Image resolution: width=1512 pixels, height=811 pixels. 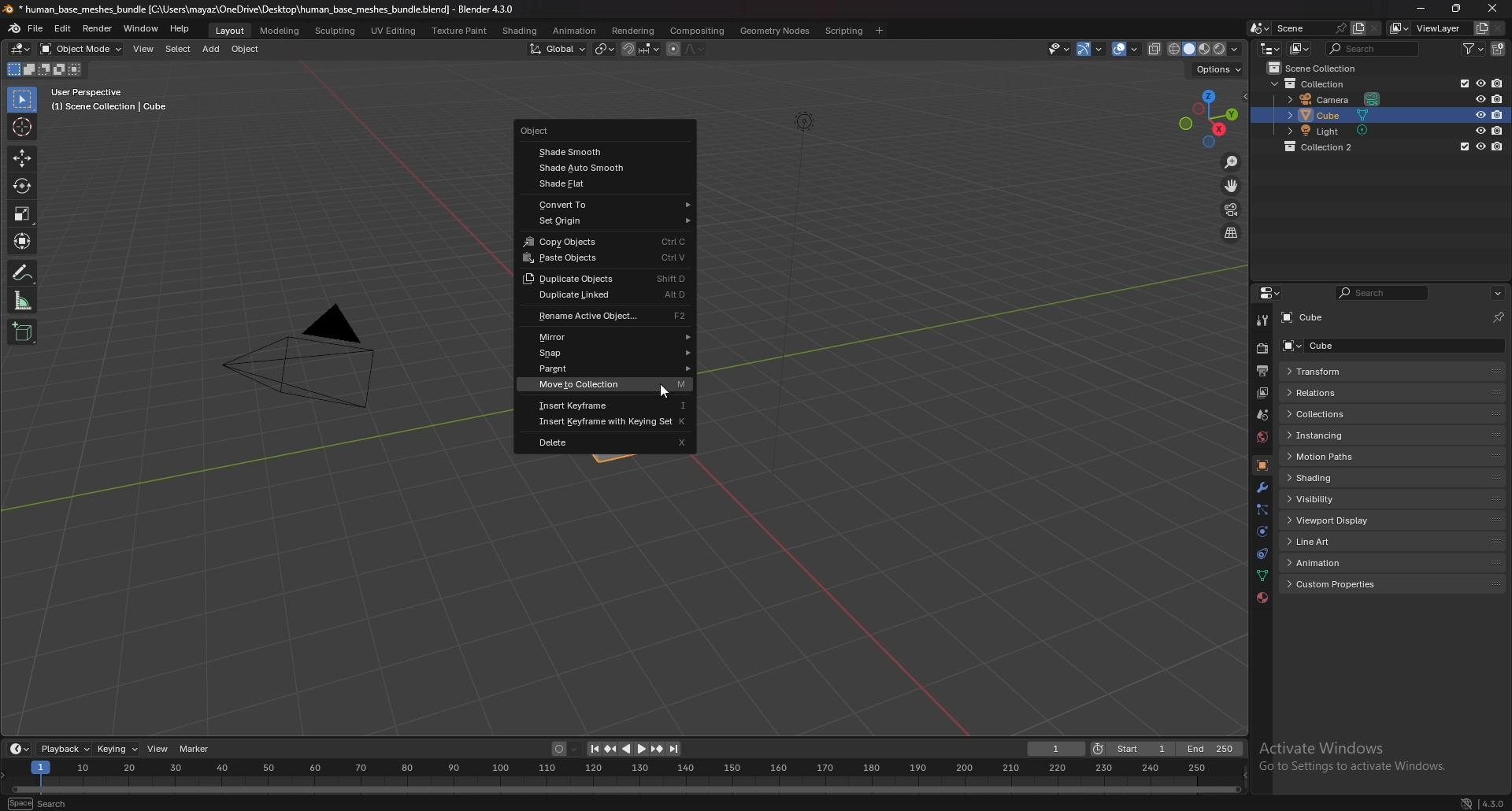 What do you see at coordinates (1262, 576) in the screenshot?
I see `data` at bounding box center [1262, 576].